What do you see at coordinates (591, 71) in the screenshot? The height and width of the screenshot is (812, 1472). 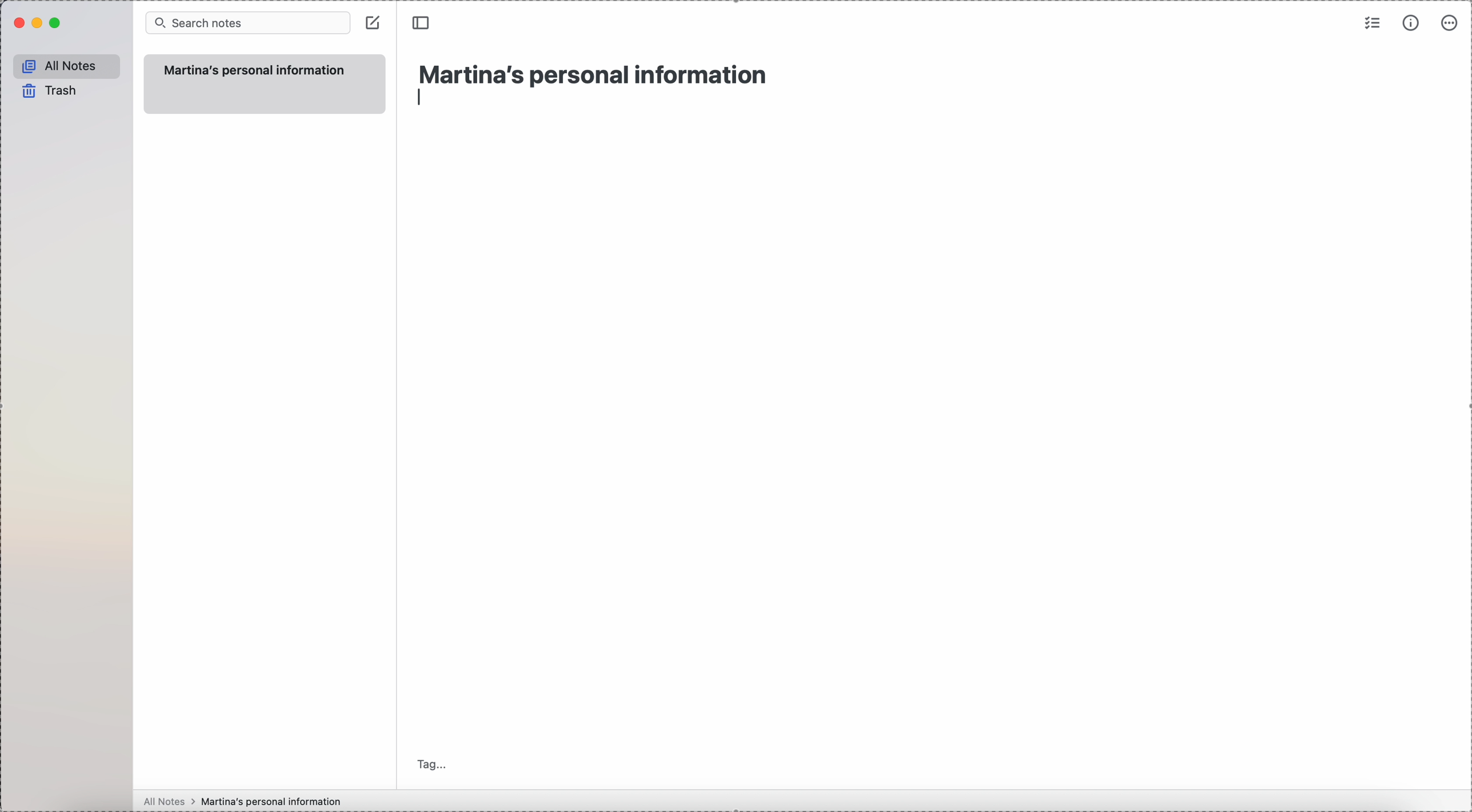 I see `title: Martina's personal information` at bounding box center [591, 71].